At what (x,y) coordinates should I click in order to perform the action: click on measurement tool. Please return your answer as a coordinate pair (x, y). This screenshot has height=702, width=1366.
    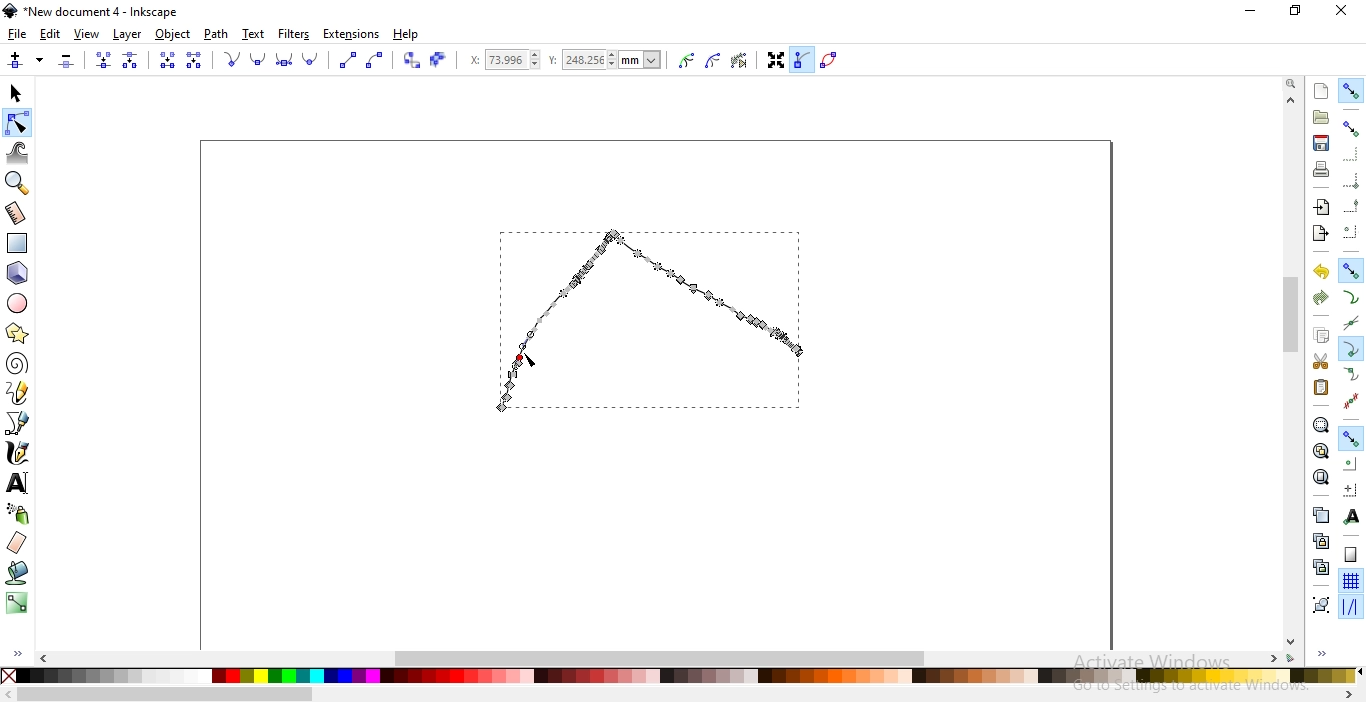
    Looking at the image, I should click on (16, 215).